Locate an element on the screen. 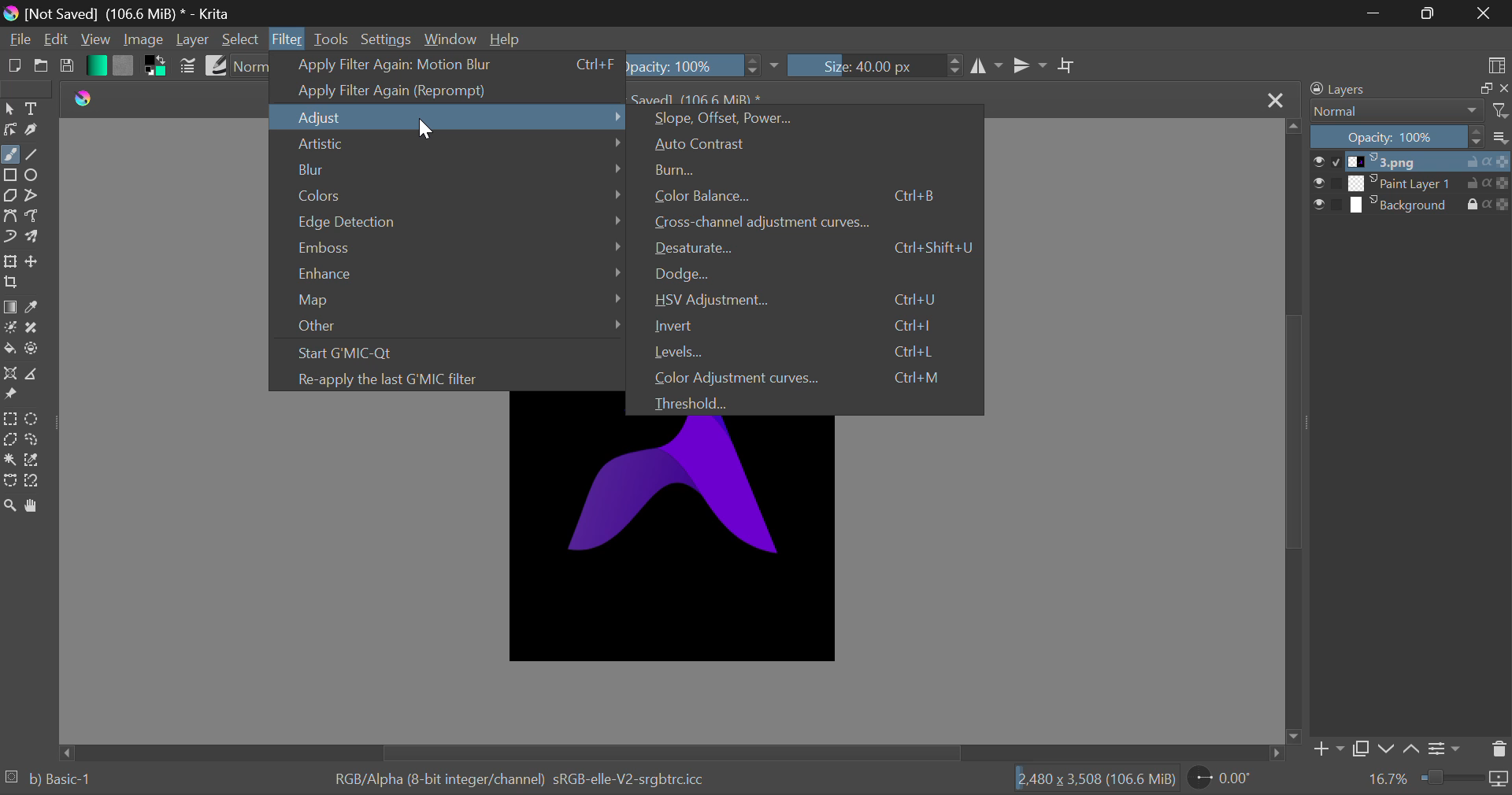 The image size is (1512, 795). Scroll Bar is located at coordinates (672, 753).